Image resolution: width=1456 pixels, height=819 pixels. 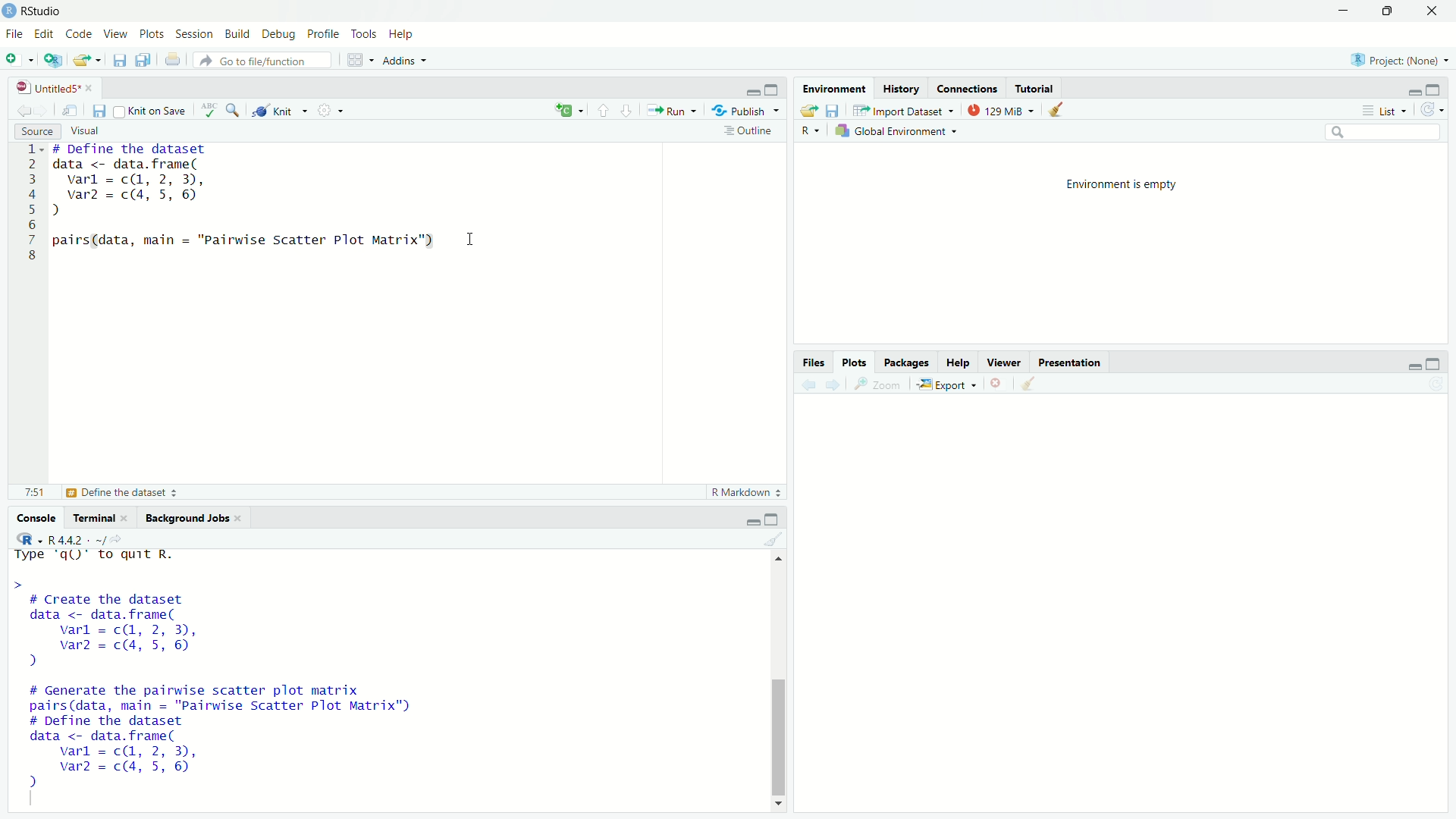 I want to click on Minimize, so click(x=752, y=521).